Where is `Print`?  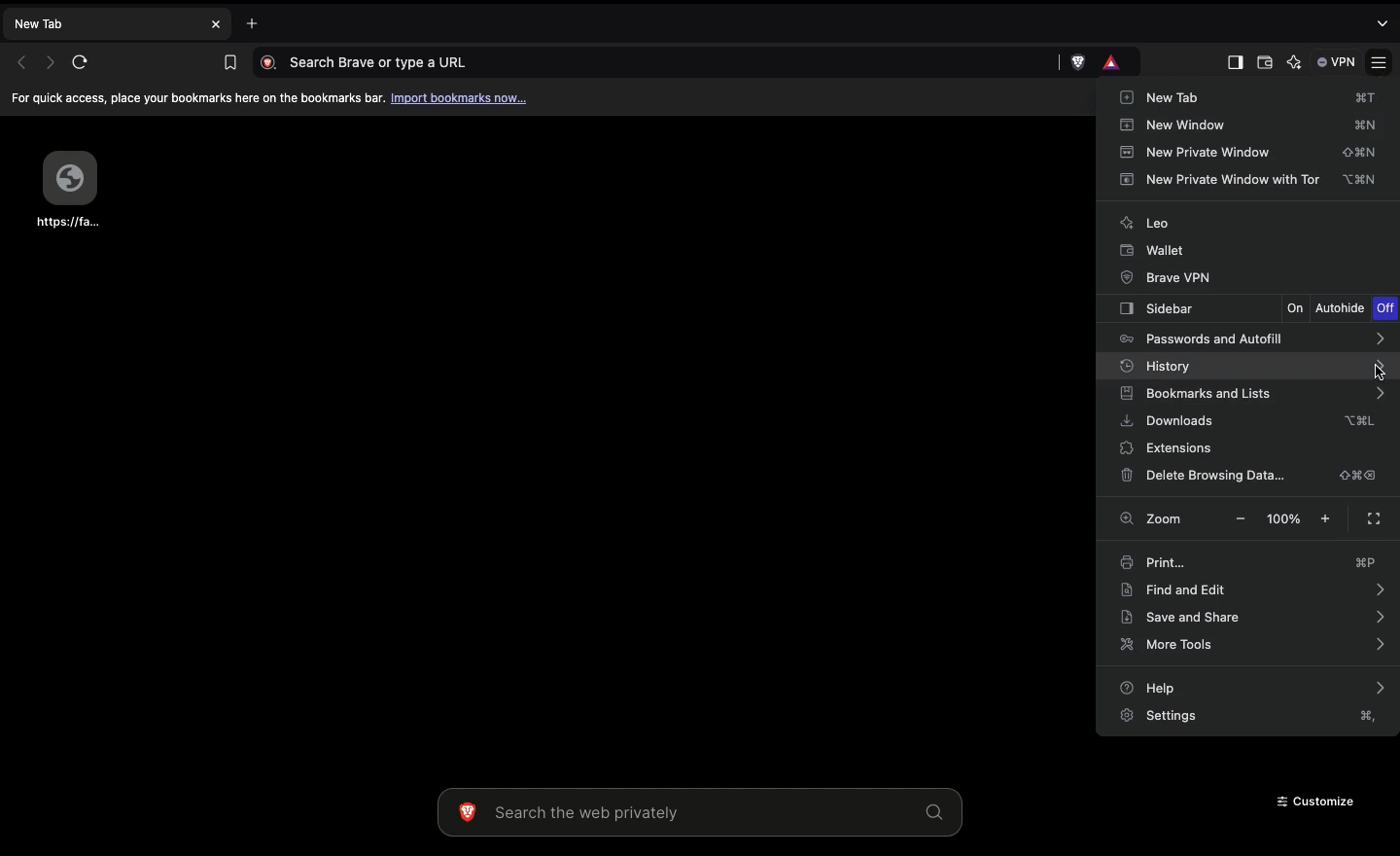 Print is located at coordinates (1237, 562).